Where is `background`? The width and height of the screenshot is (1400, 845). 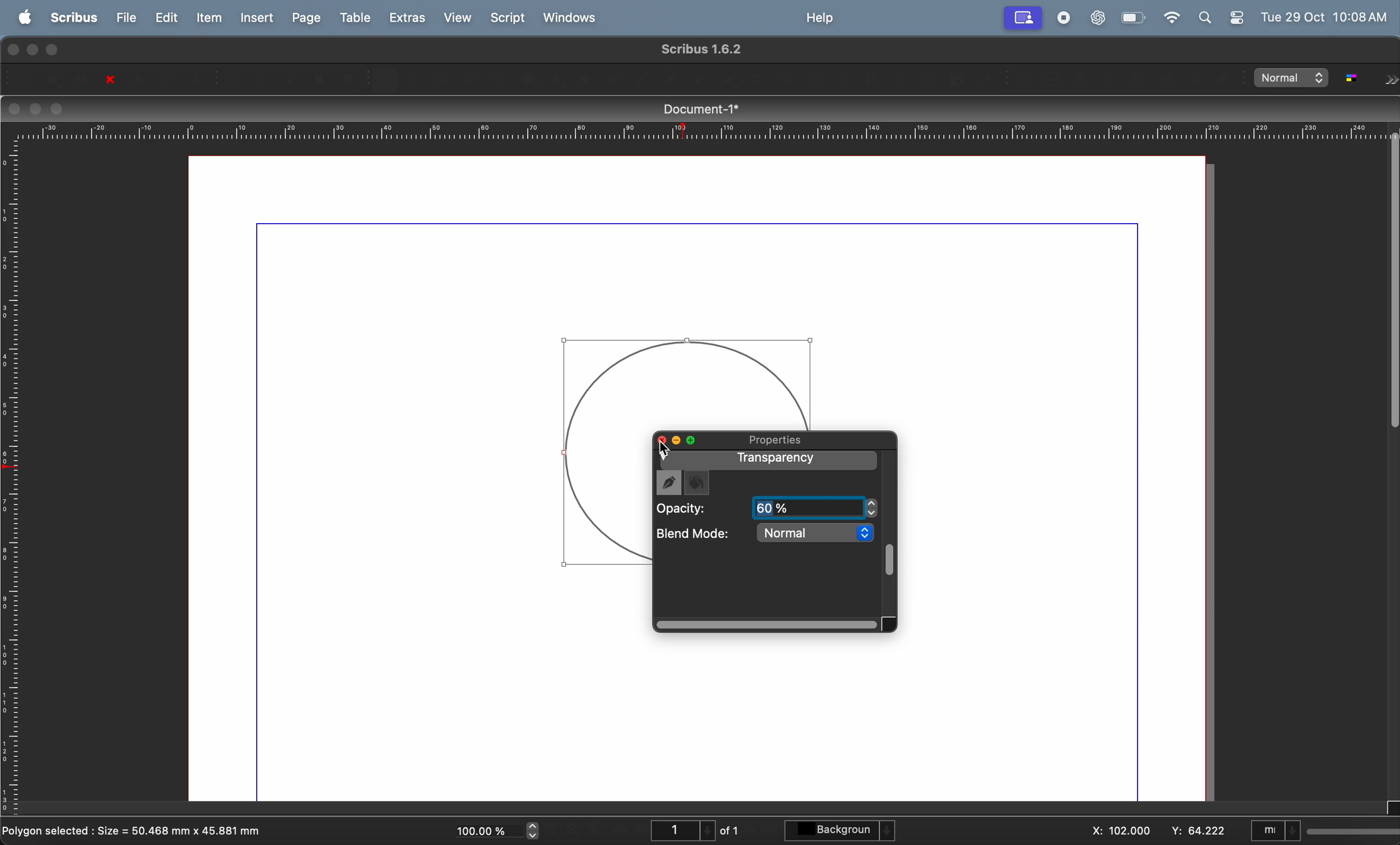 background is located at coordinates (840, 829).